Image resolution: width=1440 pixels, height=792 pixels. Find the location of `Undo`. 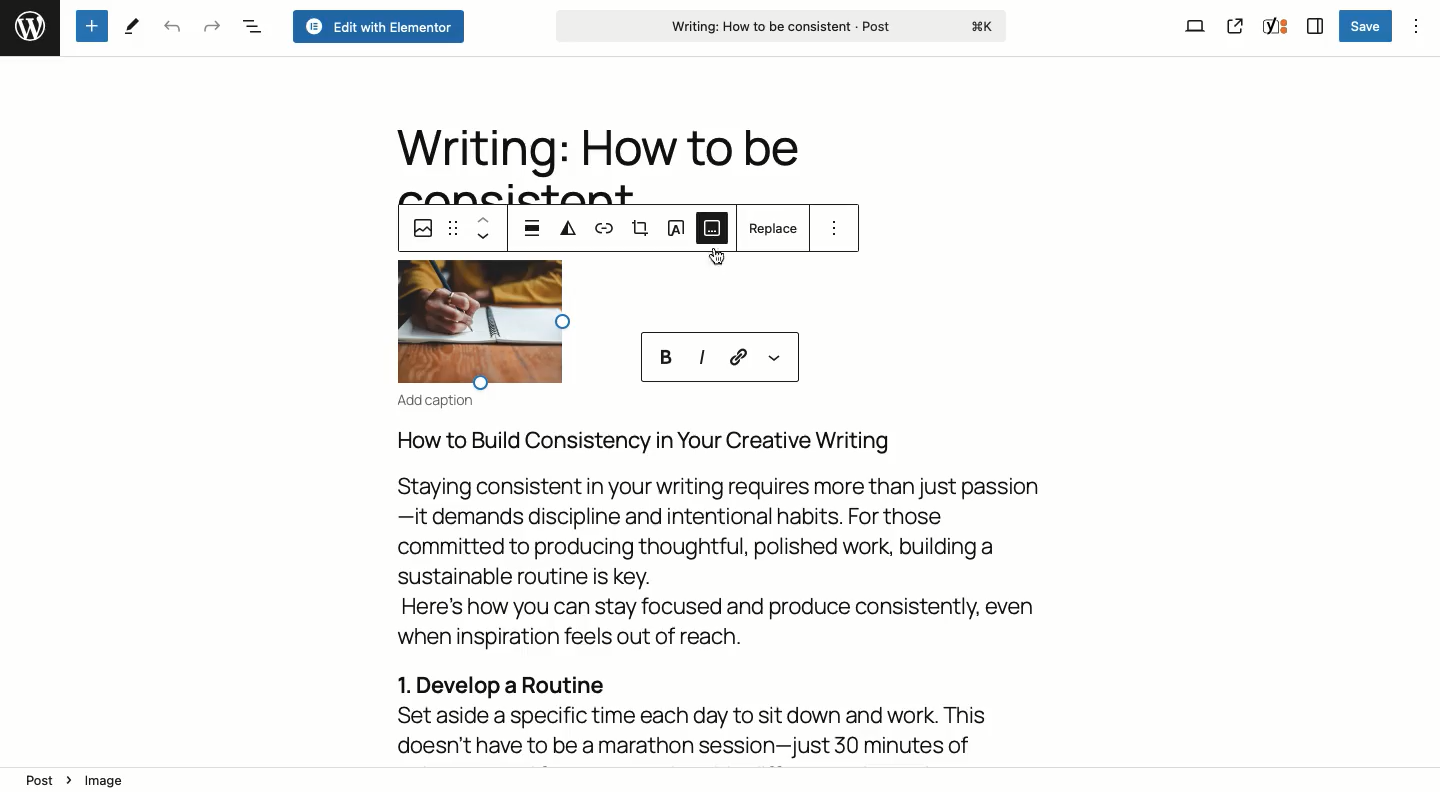

Undo is located at coordinates (171, 28).